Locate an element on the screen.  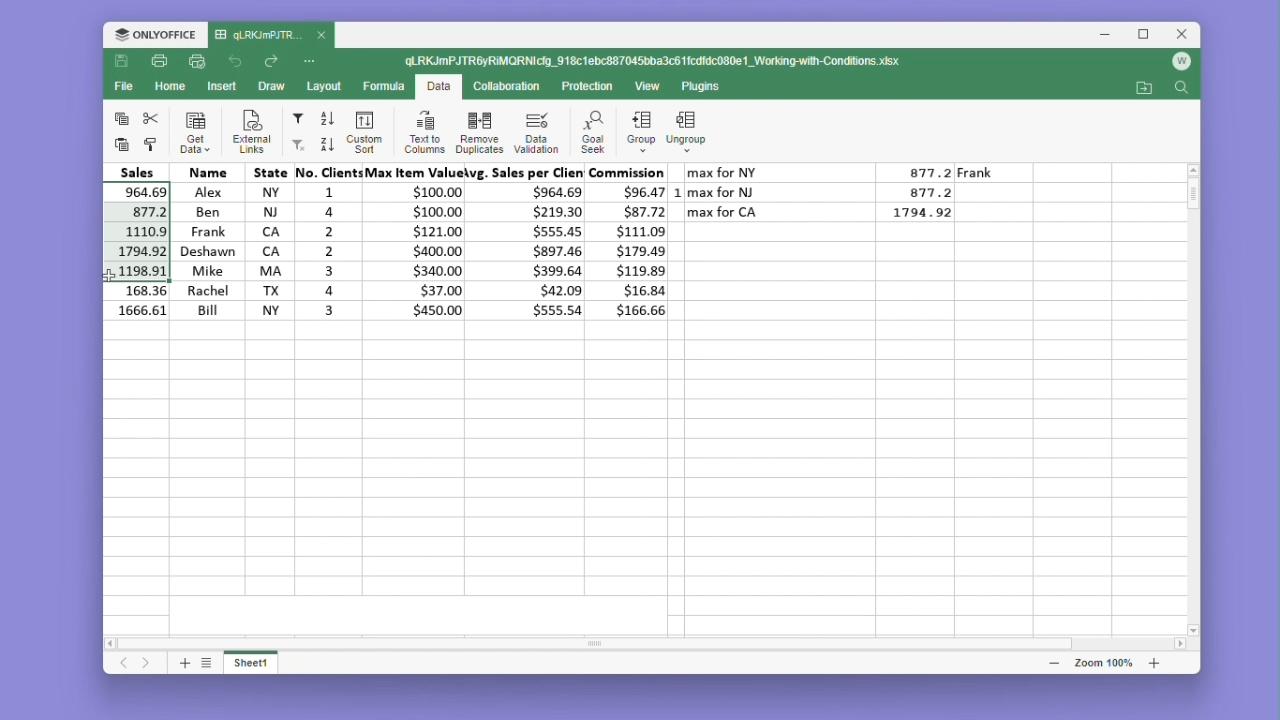
Collaboration is located at coordinates (504, 85).